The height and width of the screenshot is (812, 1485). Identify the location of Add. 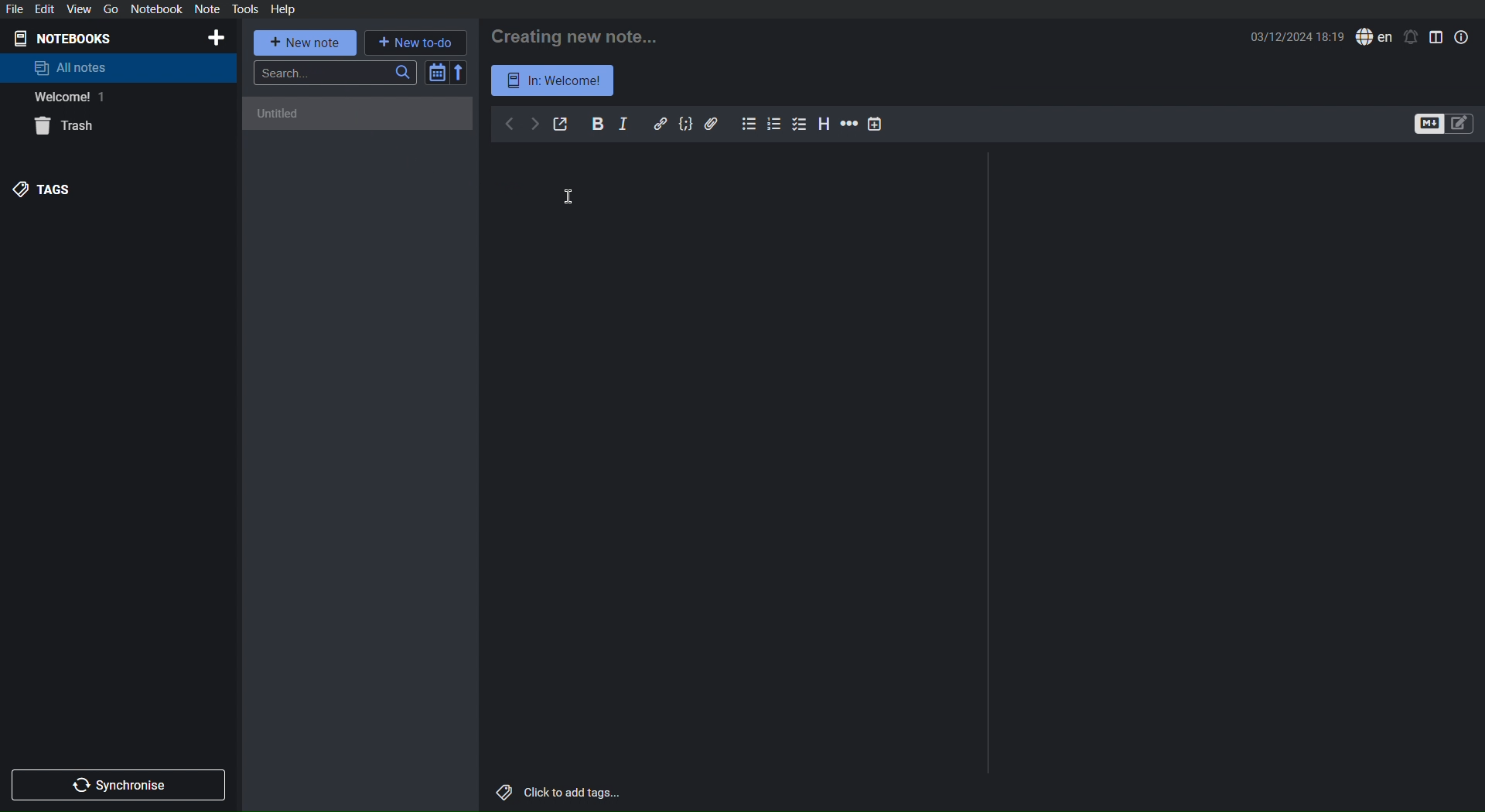
(215, 38).